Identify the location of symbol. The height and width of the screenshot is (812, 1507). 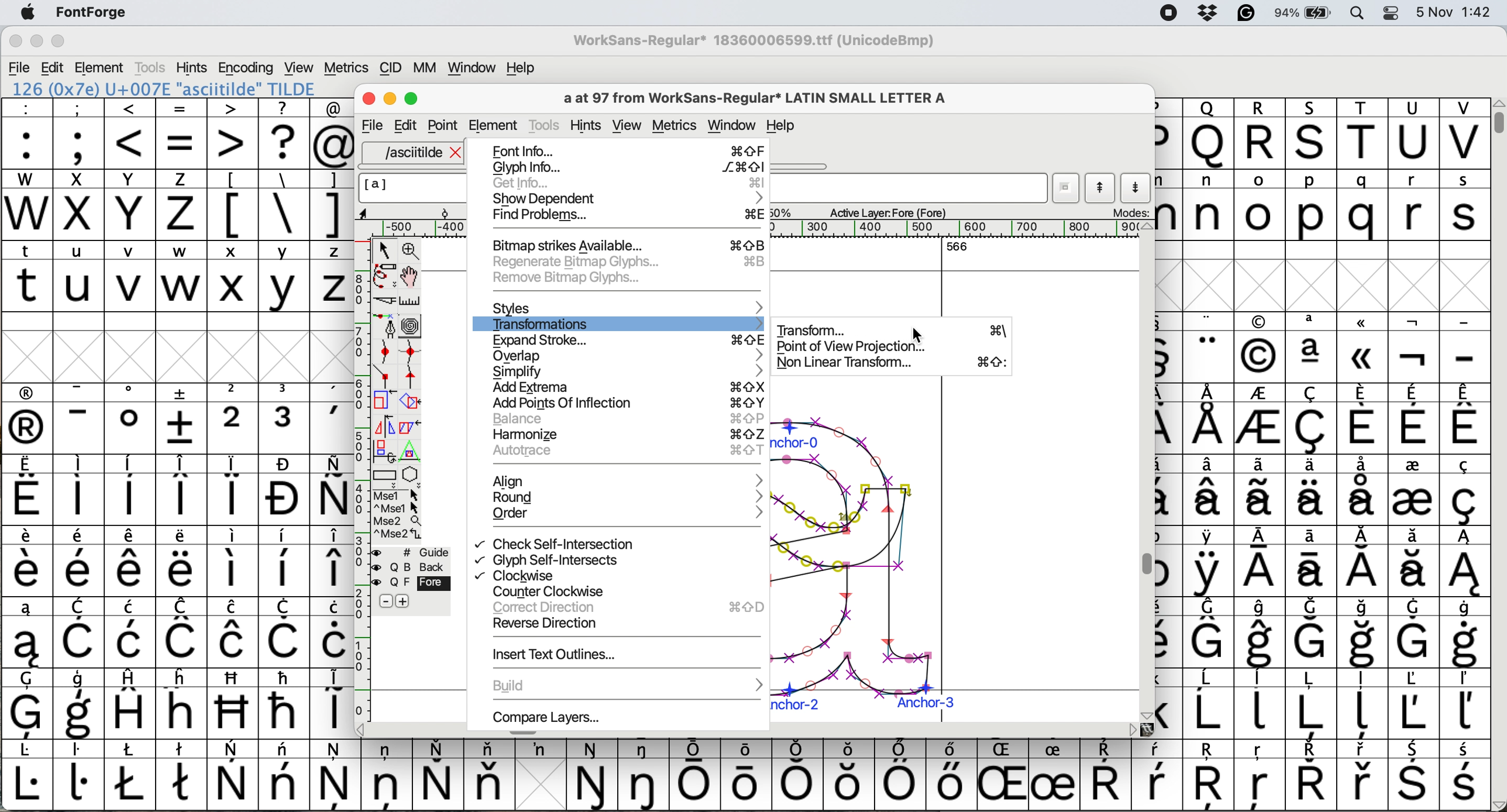
(27, 562).